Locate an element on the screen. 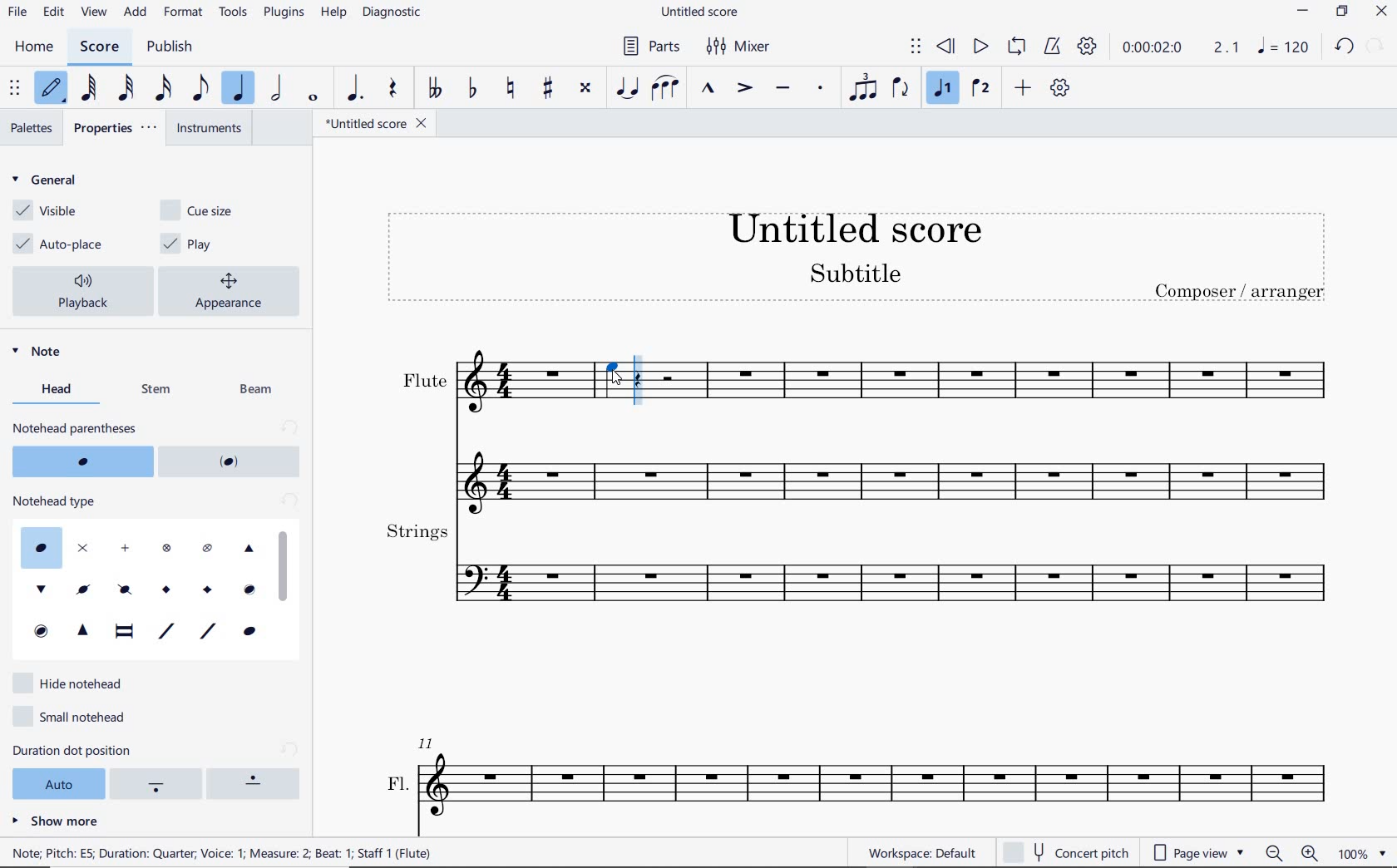 The width and height of the screenshot is (1397, 868). flute is located at coordinates (481, 384).